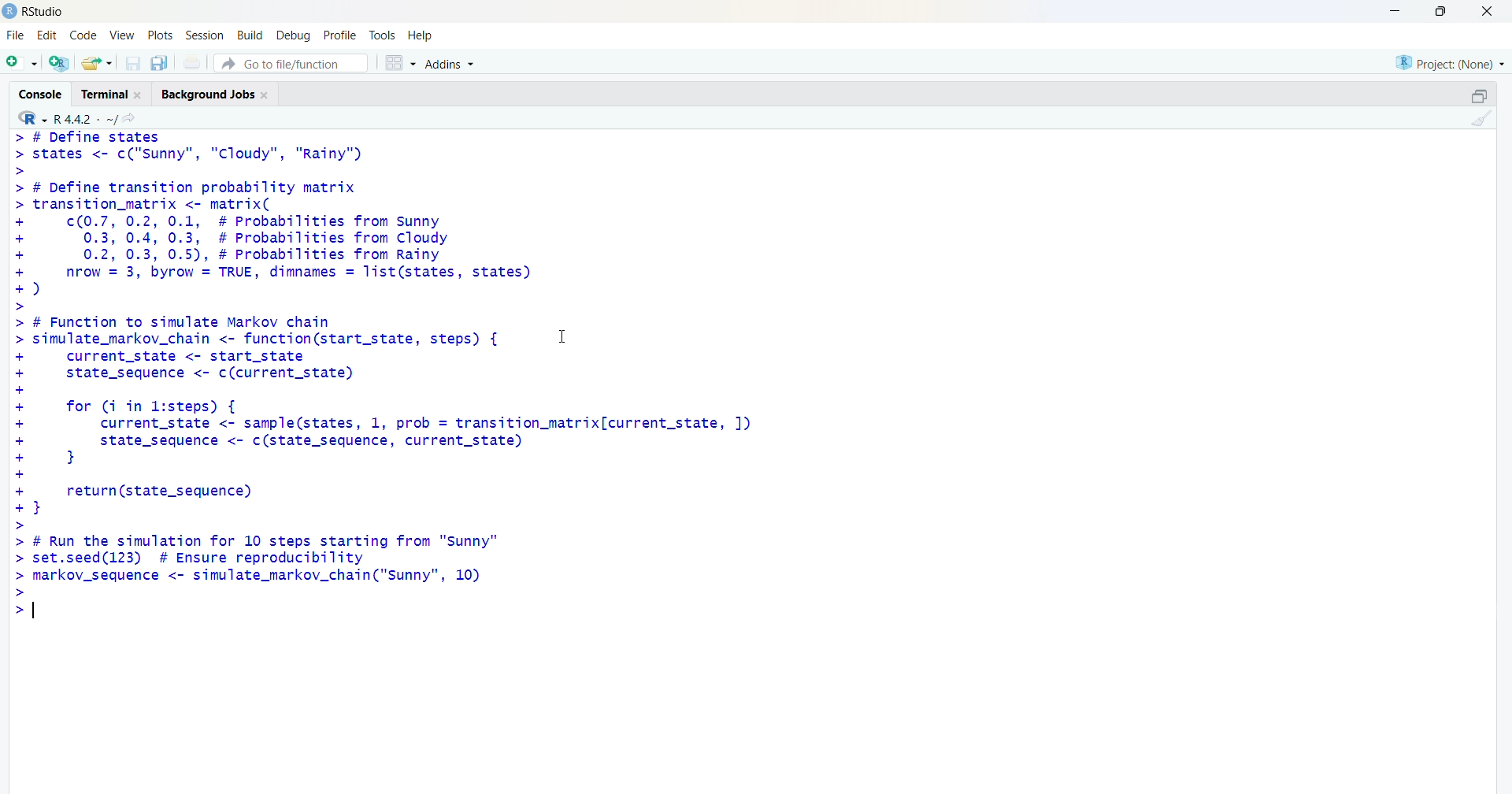 The width and height of the screenshot is (1512, 794). I want to click on minimize, so click(1392, 11).